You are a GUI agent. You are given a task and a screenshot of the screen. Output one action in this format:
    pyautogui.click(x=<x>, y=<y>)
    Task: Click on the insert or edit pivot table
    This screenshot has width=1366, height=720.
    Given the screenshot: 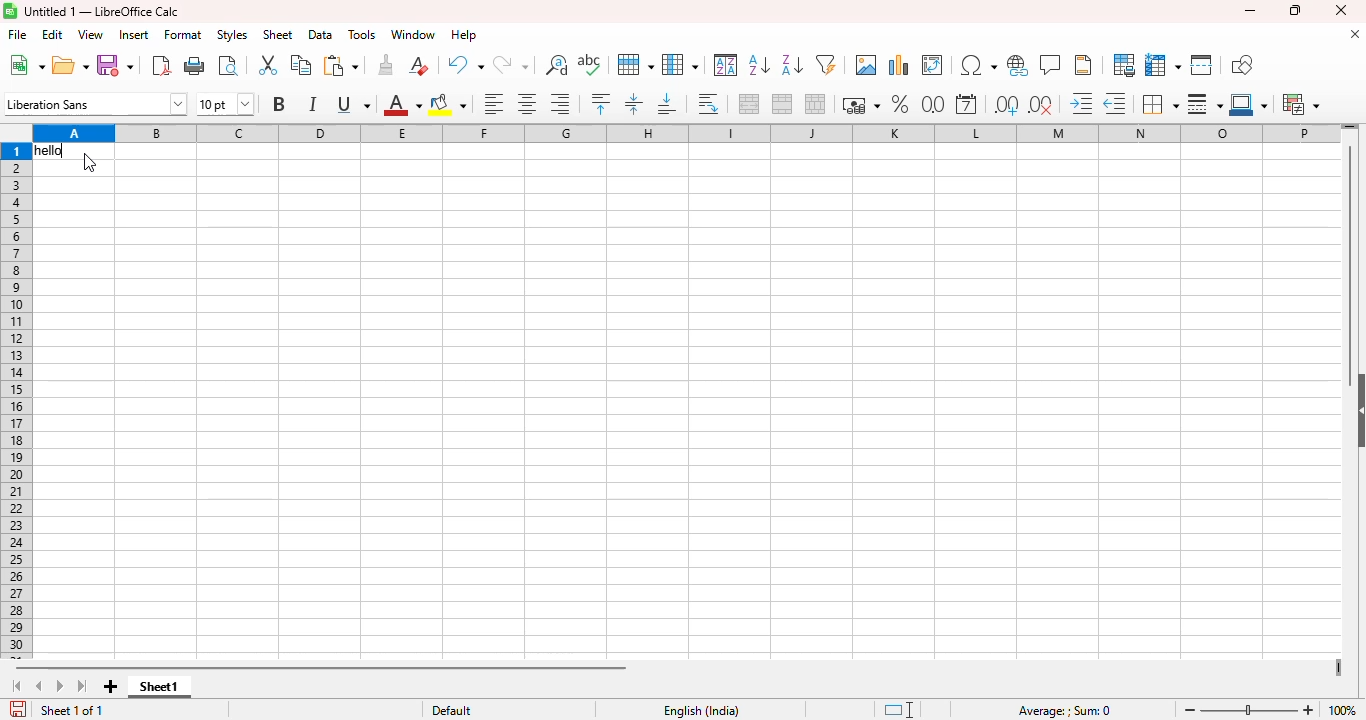 What is the action you would take?
    pyautogui.click(x=933, y=65)
    